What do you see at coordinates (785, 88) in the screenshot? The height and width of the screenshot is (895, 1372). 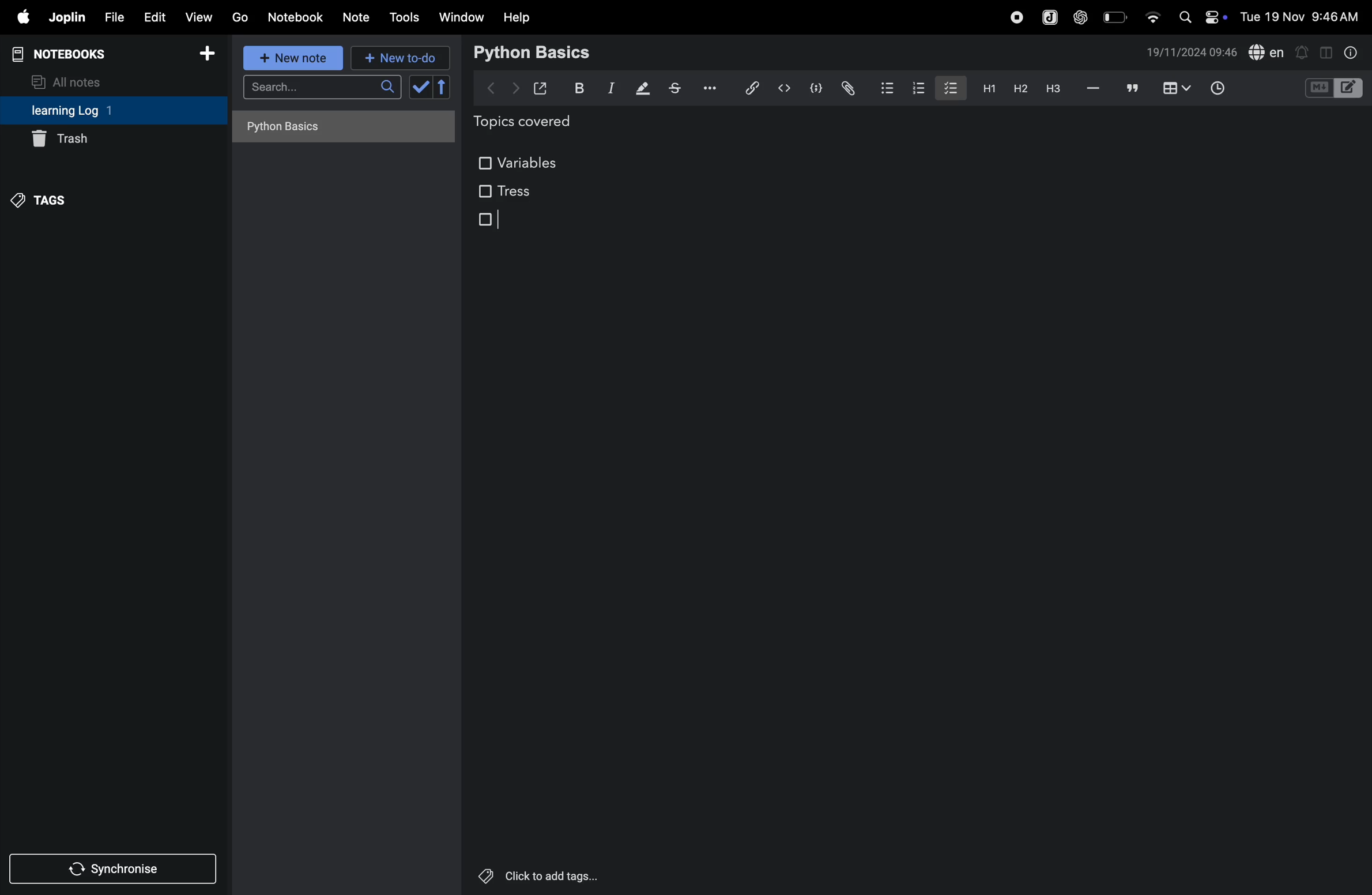 I see `insert code` at bounding box center [785, 88].